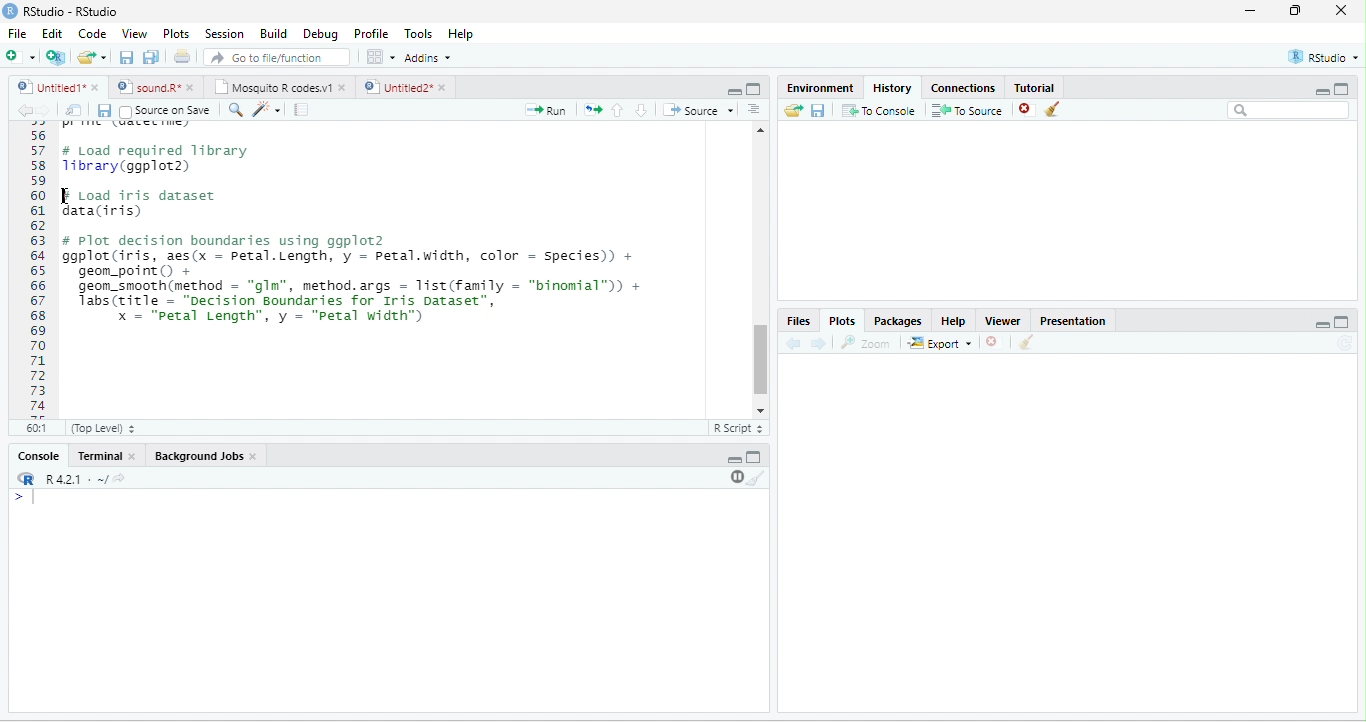 The height and width of the screenshot is (722, 1366). Describe the element at coordinates (735, 460) in the screenshot. I see `minimize` at that location.